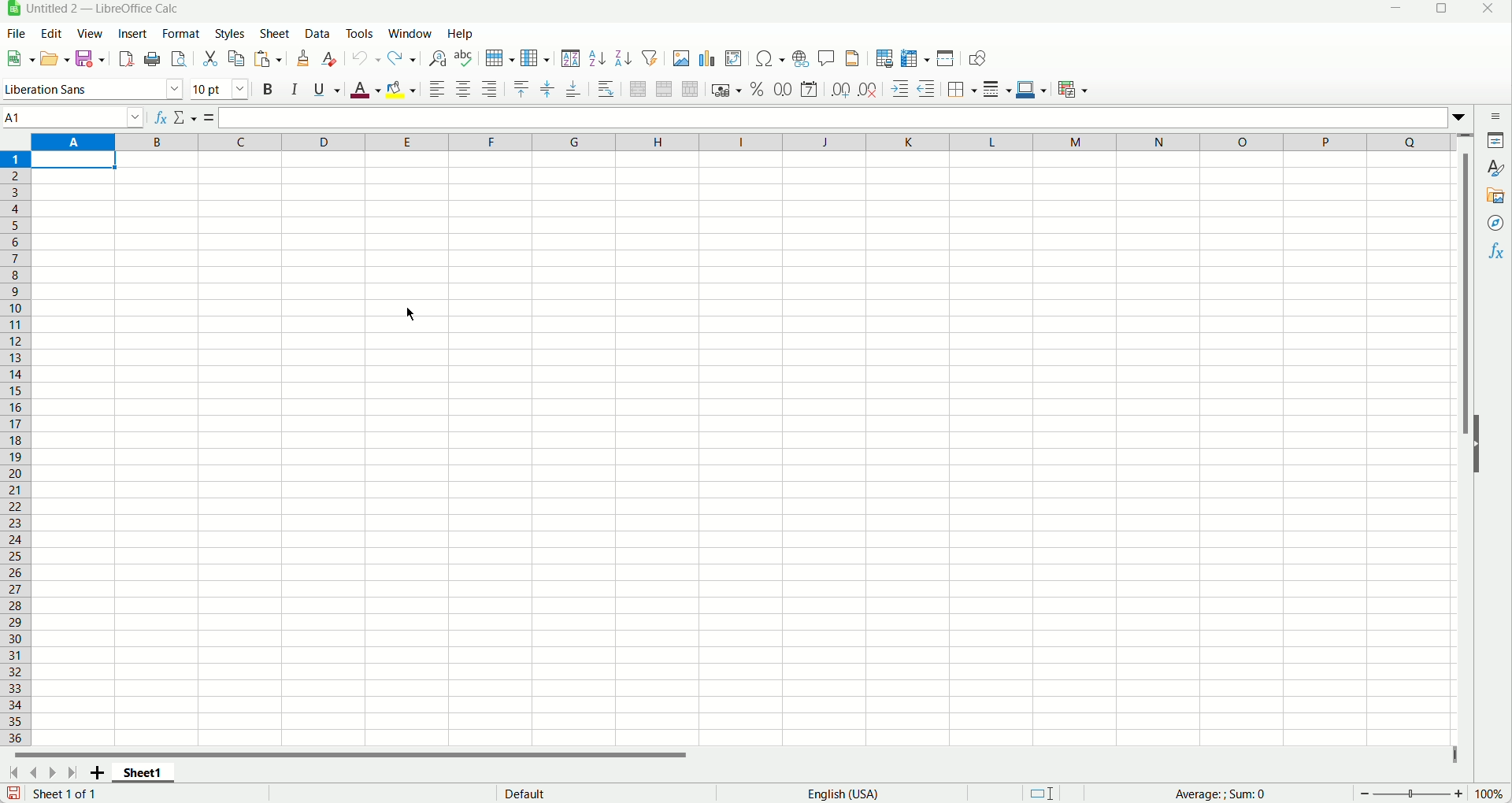  Describe the element at coordinates (850, 119) in the screenshot. I see `Input inline` at that location.